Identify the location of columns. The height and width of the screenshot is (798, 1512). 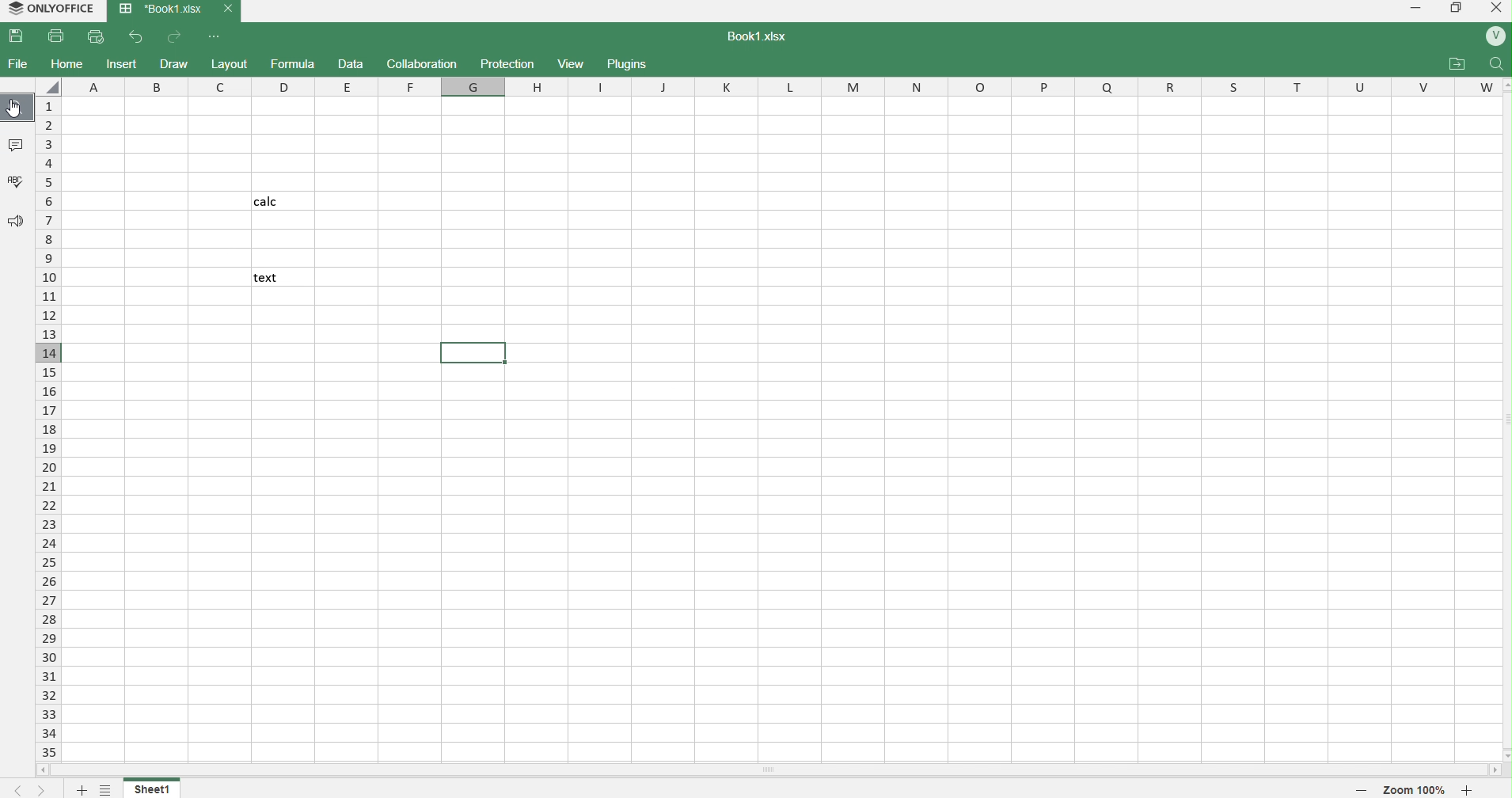
(778, 86).